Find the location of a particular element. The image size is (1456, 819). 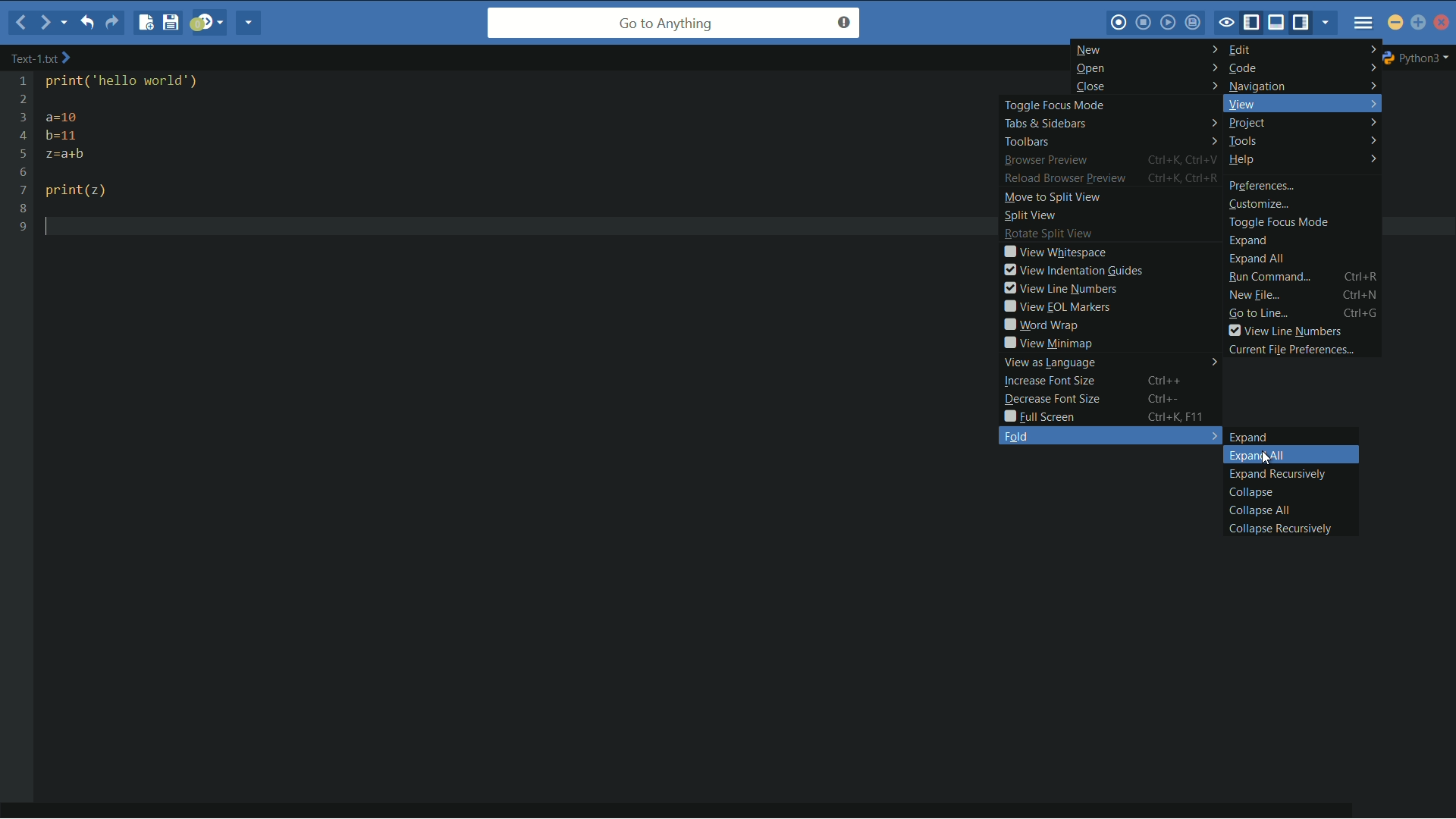

toolbars is located at coordinates (1111, 142).